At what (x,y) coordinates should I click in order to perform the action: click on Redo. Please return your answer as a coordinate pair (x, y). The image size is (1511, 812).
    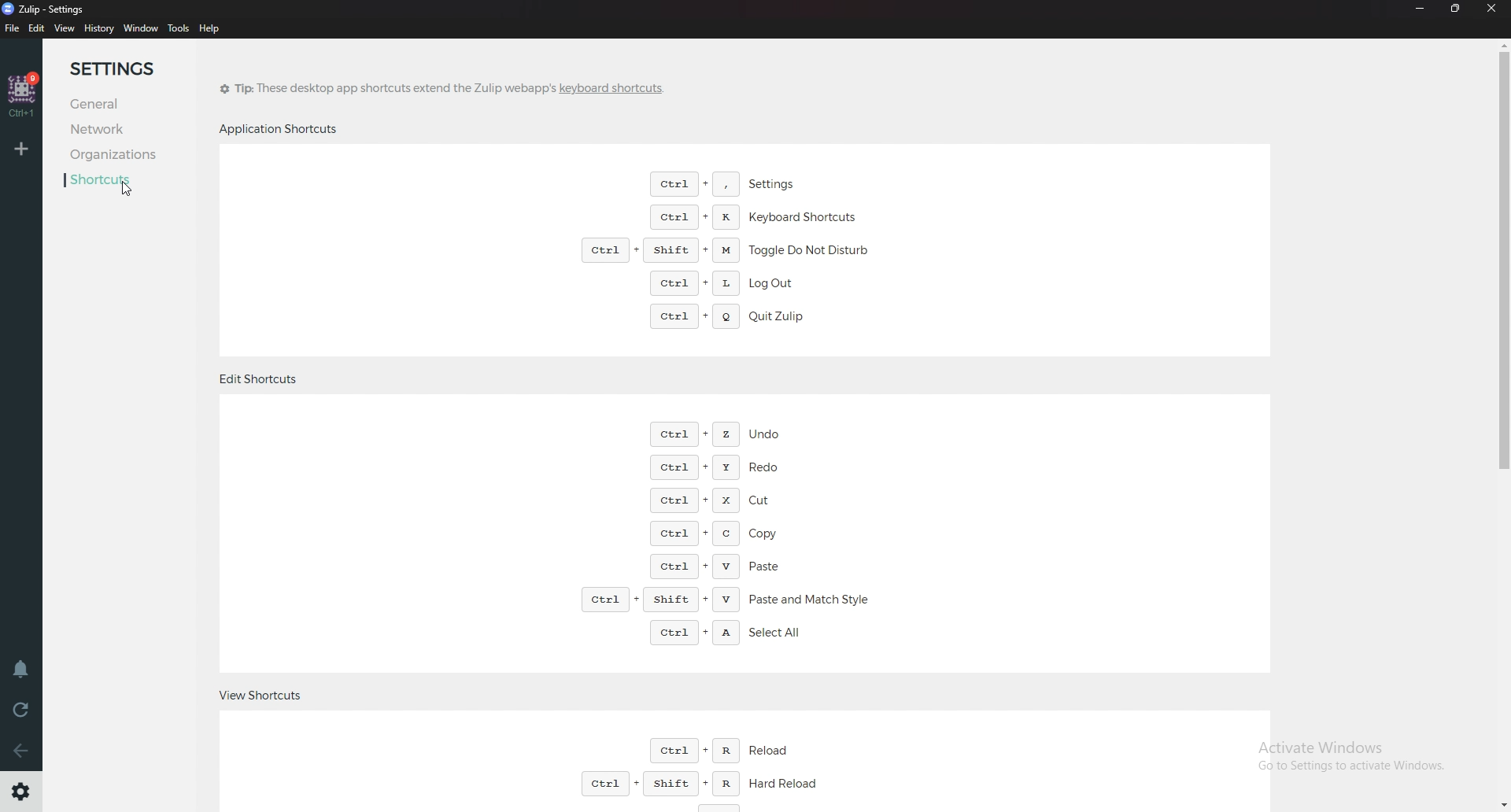
    Looking at the image, I should click on (719, 467).